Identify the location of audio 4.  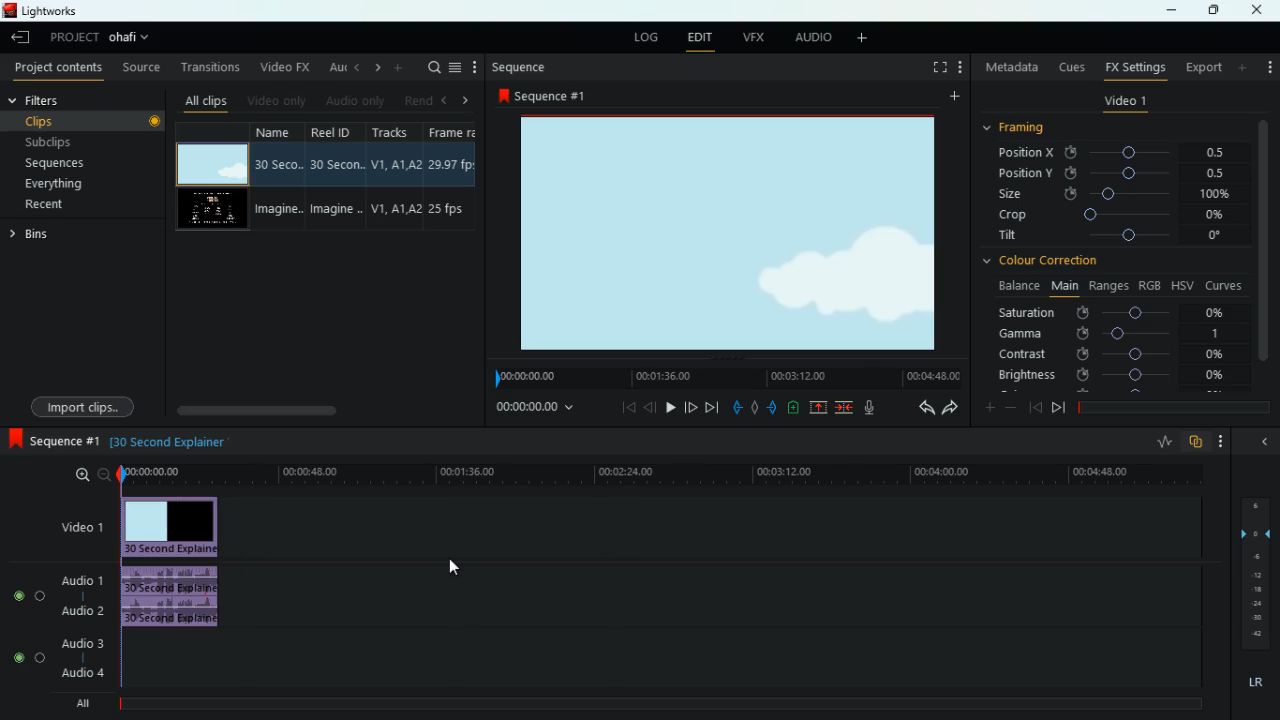
(79, 672).